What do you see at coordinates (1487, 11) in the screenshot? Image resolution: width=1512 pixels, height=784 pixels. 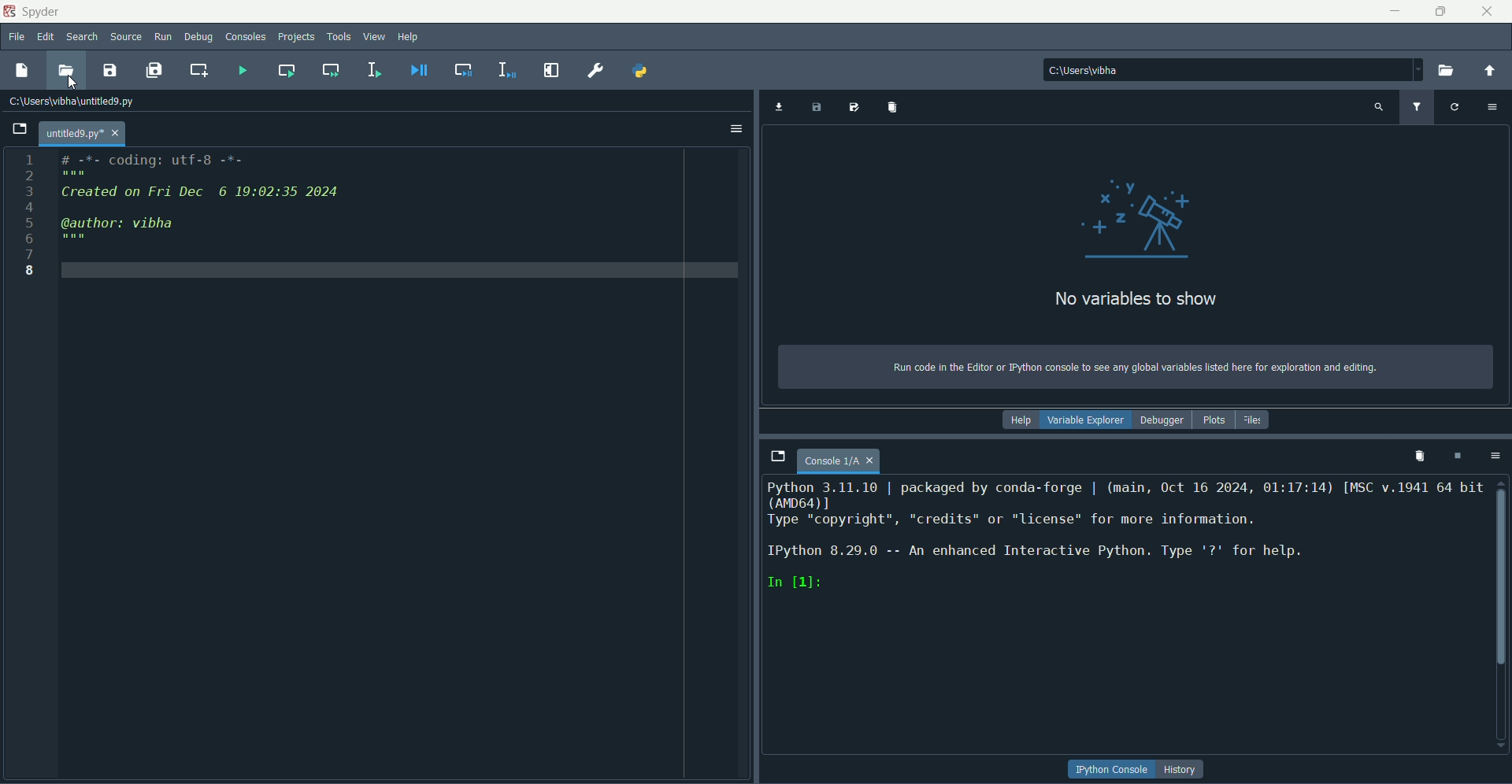 I see `close` at bounding box center [1487, 11].